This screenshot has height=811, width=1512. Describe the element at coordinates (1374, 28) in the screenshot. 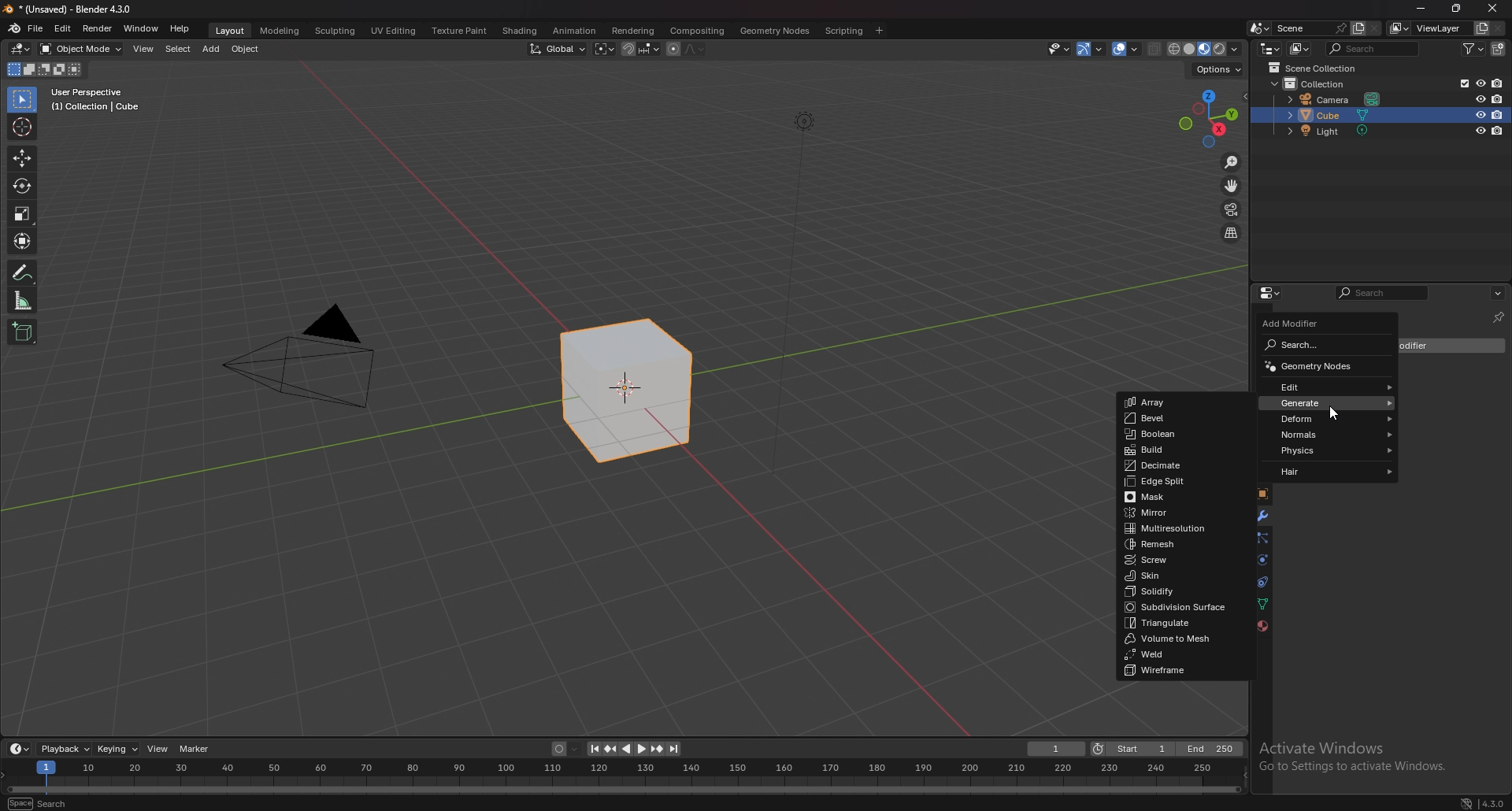

I see `delete scene` at that location.